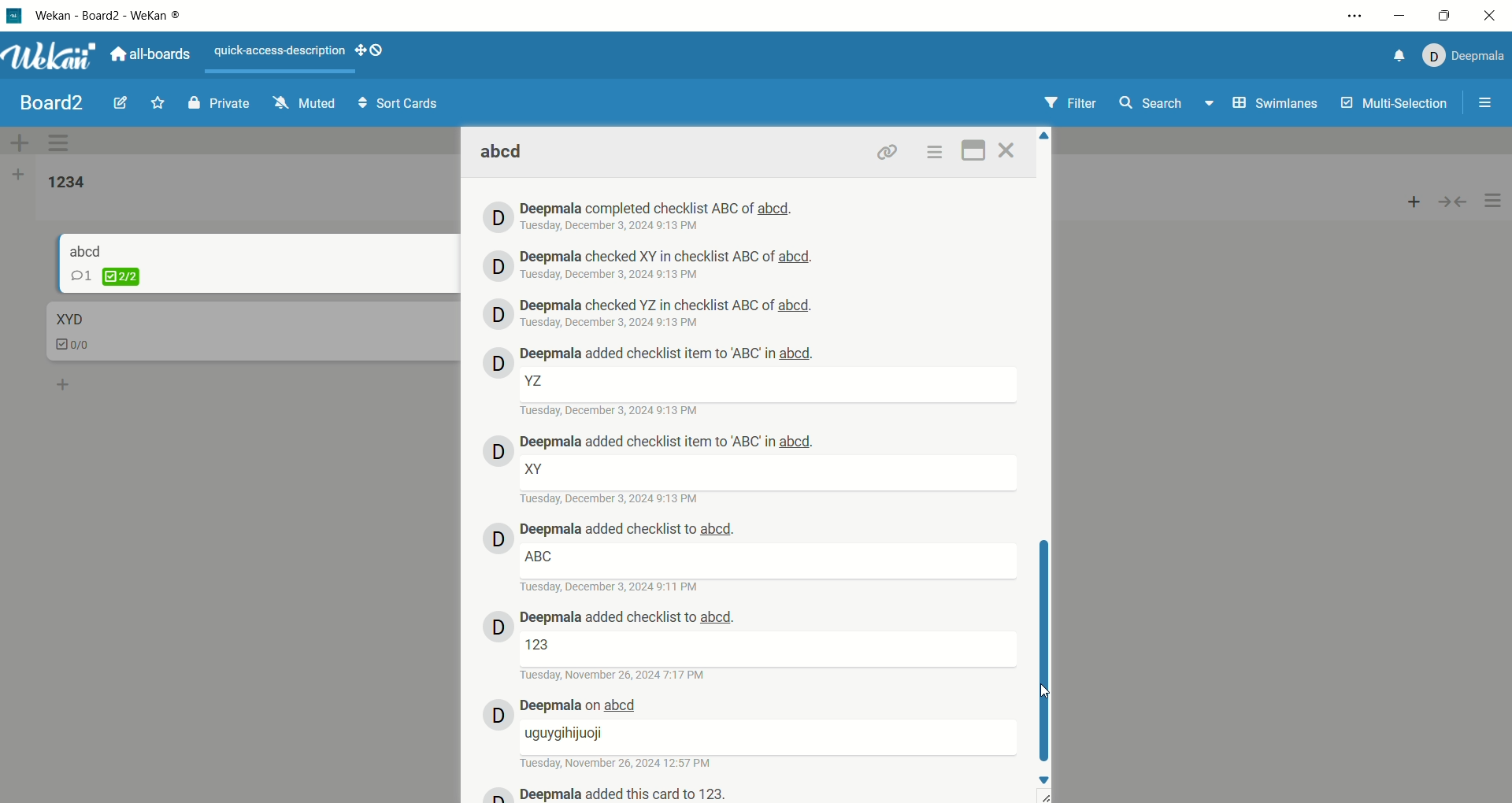  What do you see at coordinates (498, 313) in the screenshot?
I see `avatar` at bounding box center [498, 313].